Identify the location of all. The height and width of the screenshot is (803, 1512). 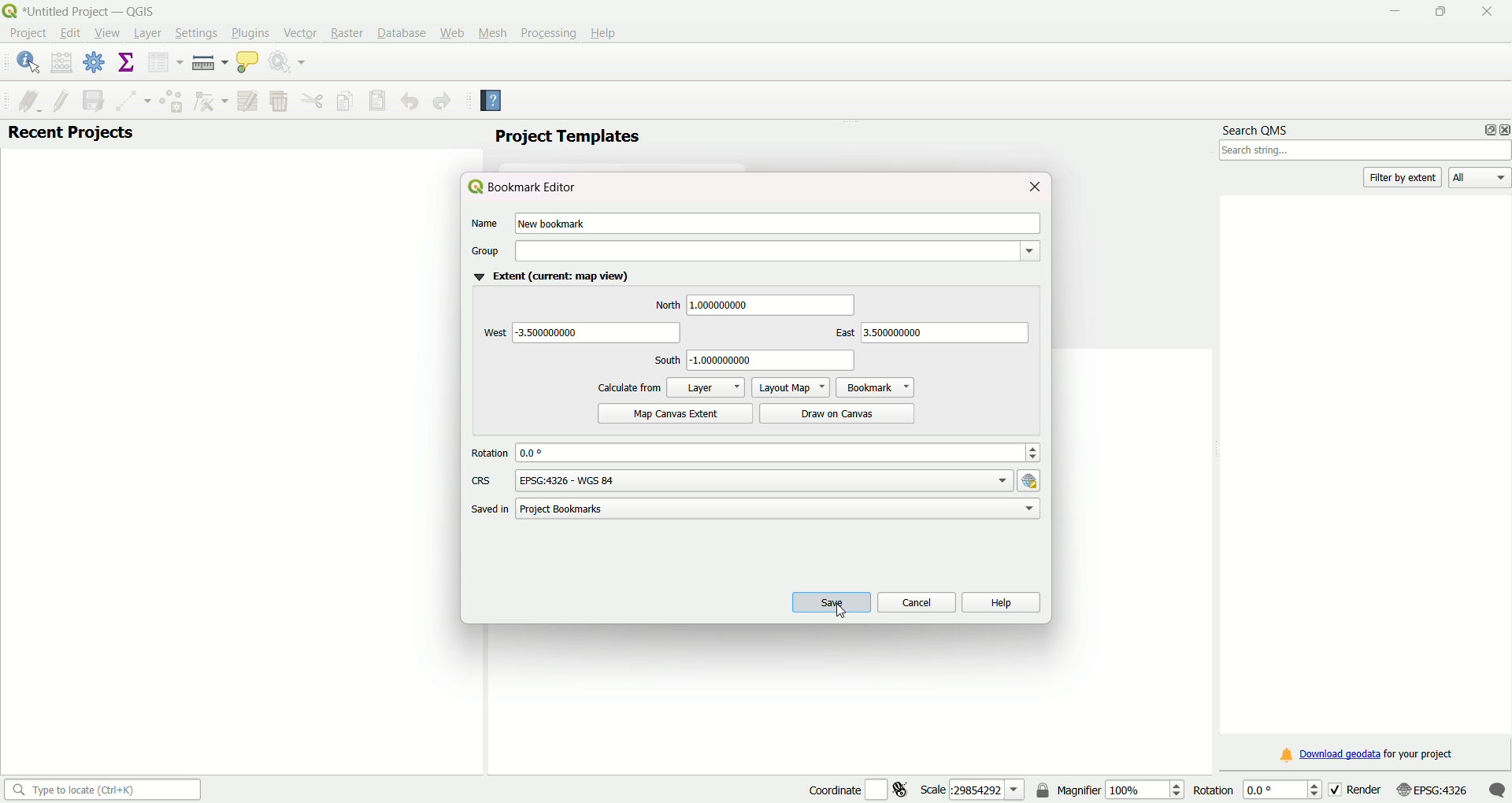
(1480, 179).